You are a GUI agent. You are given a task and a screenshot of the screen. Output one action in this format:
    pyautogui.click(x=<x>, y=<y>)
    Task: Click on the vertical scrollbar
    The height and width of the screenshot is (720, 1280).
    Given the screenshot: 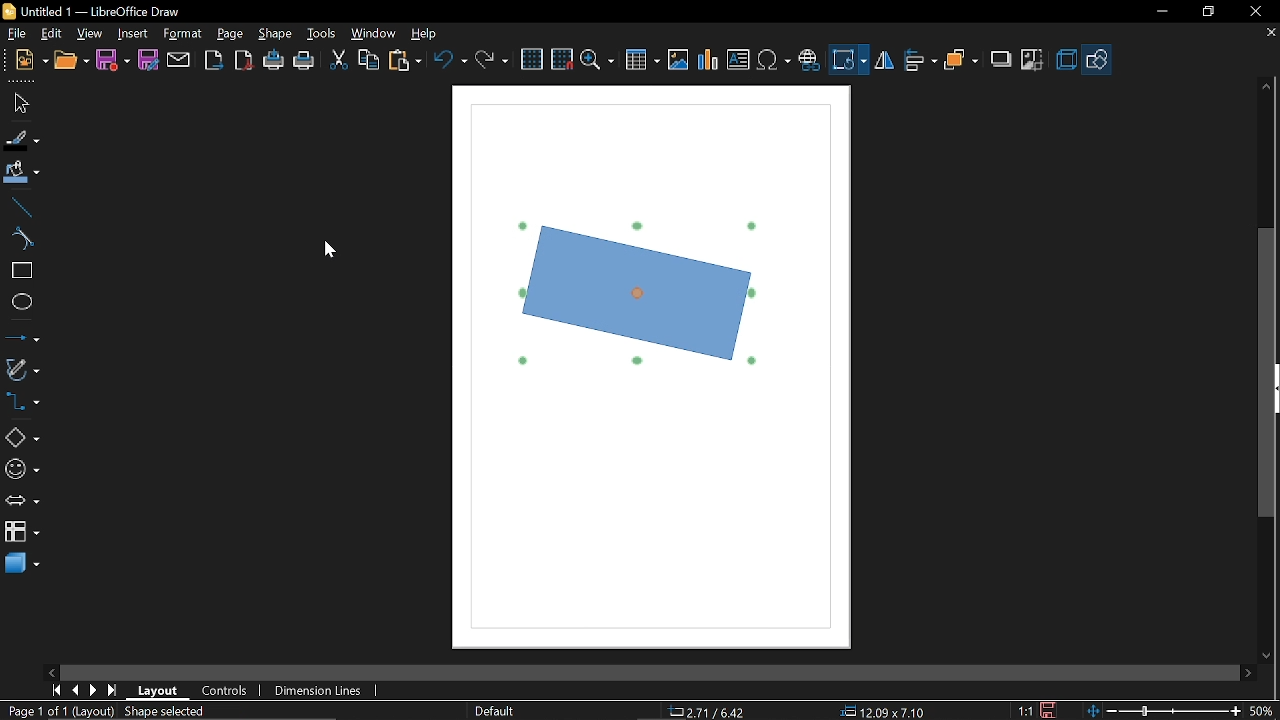 What is the action you would take?
    pyautogui.click(x=1267, y=374)
    